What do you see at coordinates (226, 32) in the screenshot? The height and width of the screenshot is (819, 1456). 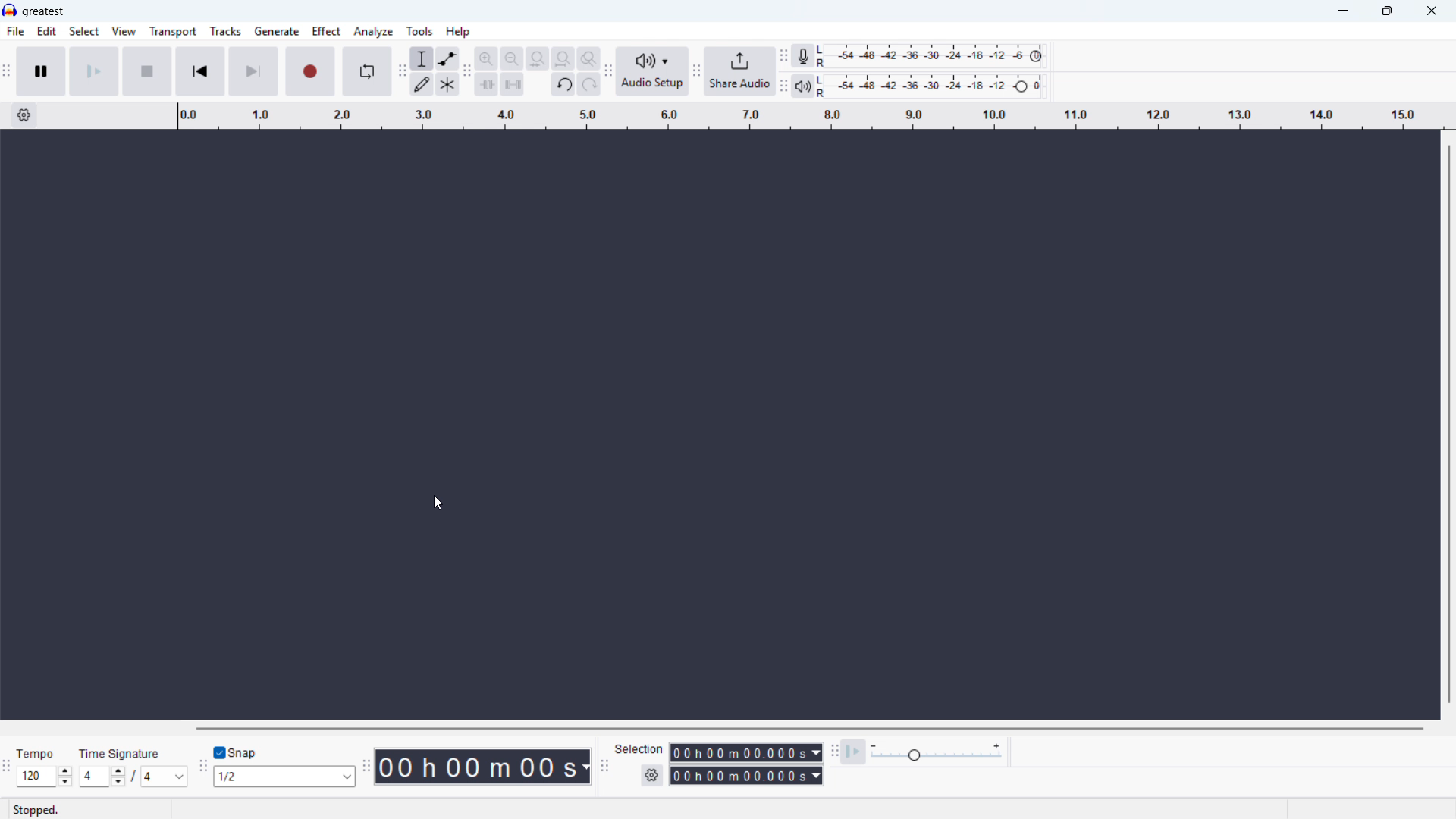 I see `Tracks ` at bounding box center [226, 32].